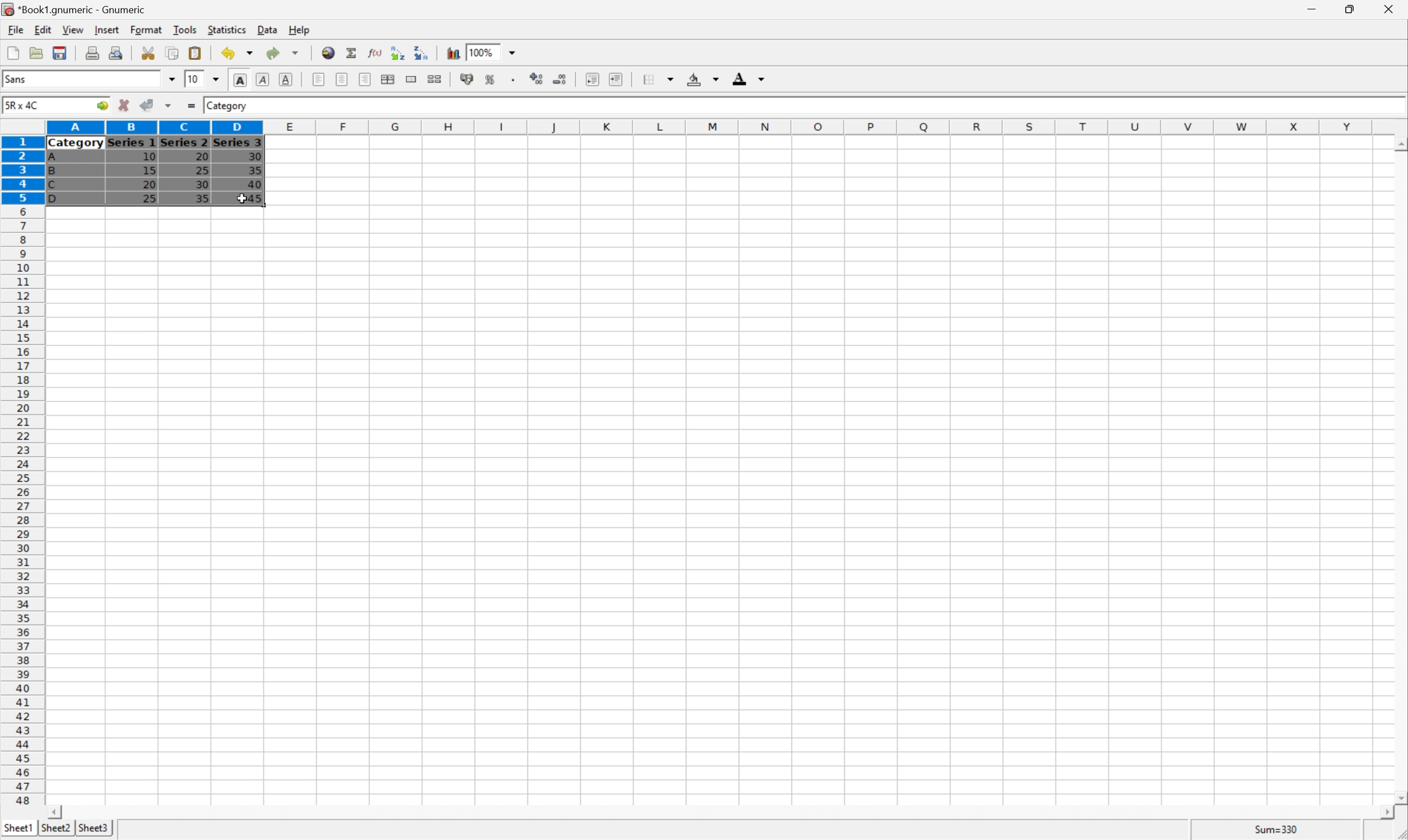 This screenshot has height=840, width=1408. I want to click on Sort the selected region in ascending order based on the first column selected, so click(397, 53).